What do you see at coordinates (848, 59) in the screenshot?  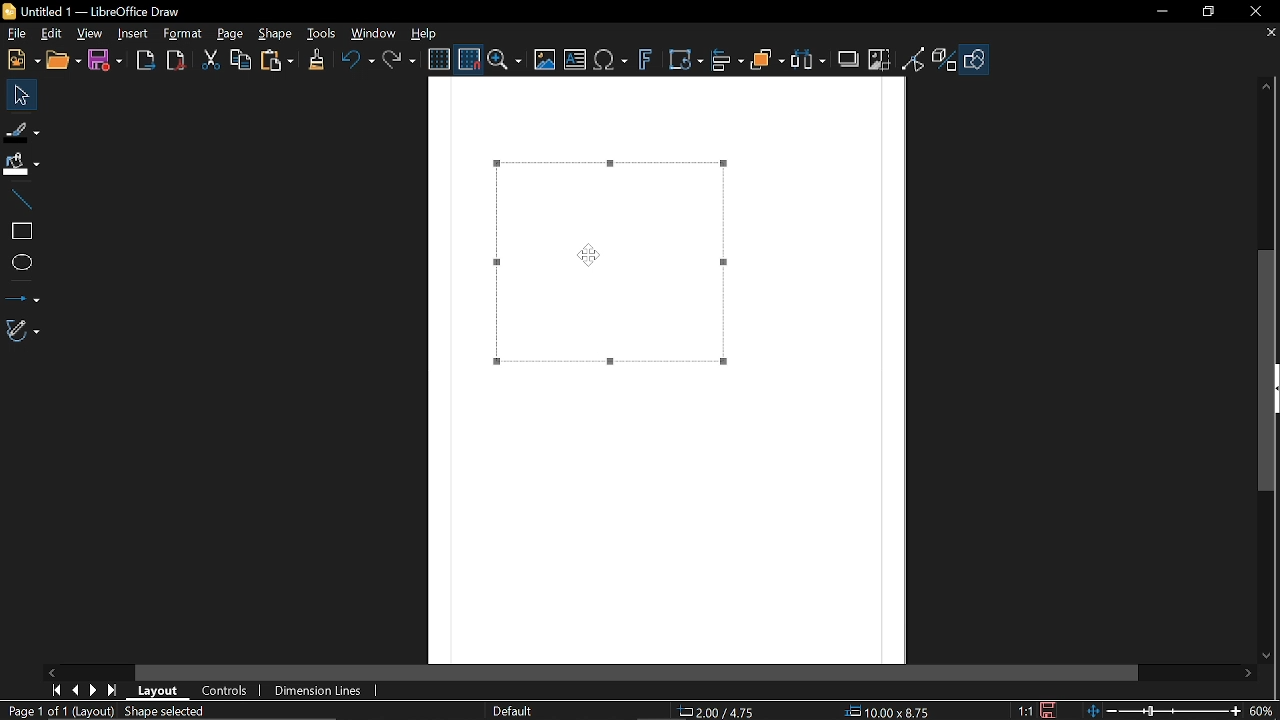 I see `Shadow` at bounding box center [848, 59].